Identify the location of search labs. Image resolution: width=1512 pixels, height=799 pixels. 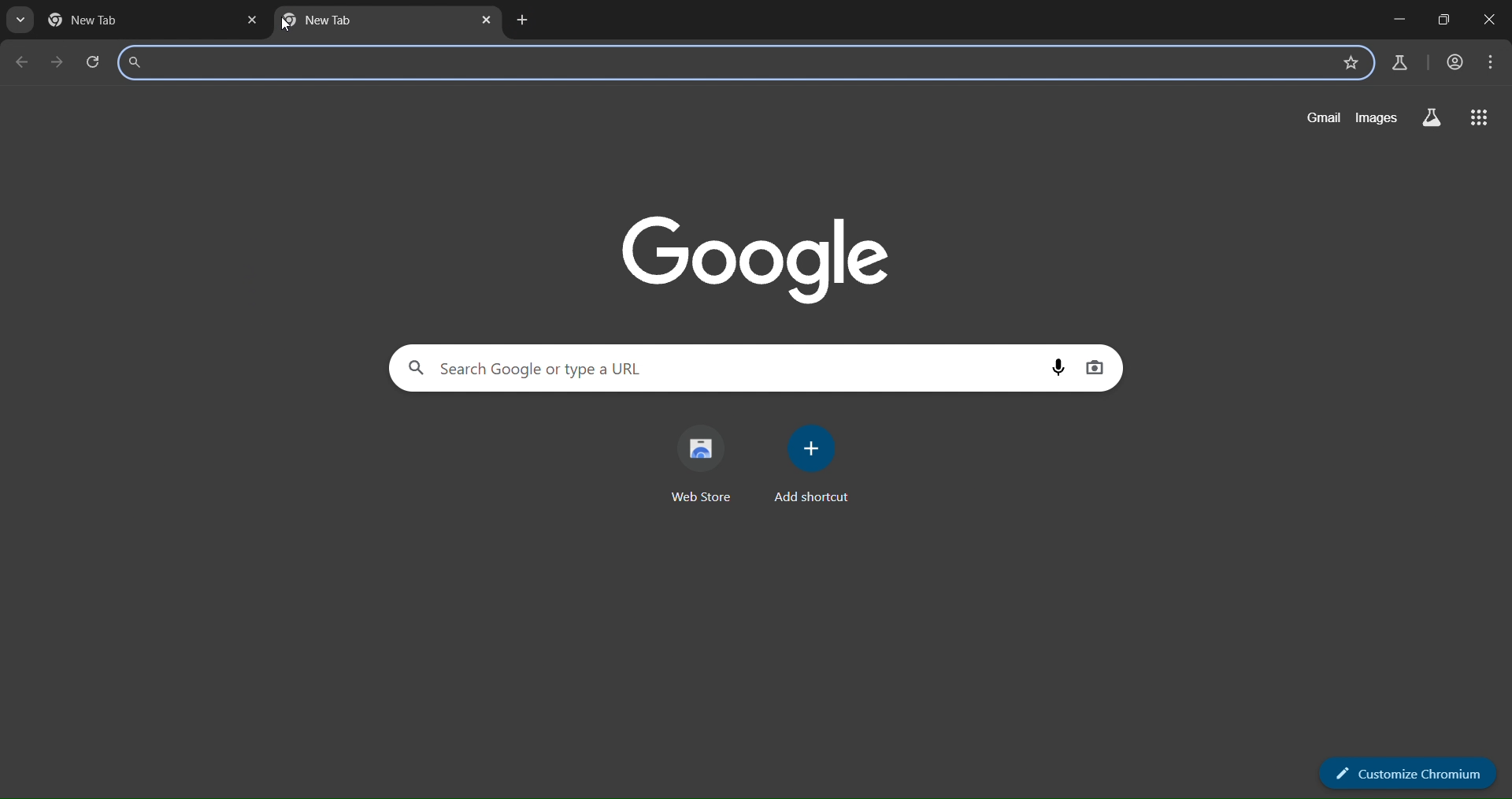
(1431, 119).